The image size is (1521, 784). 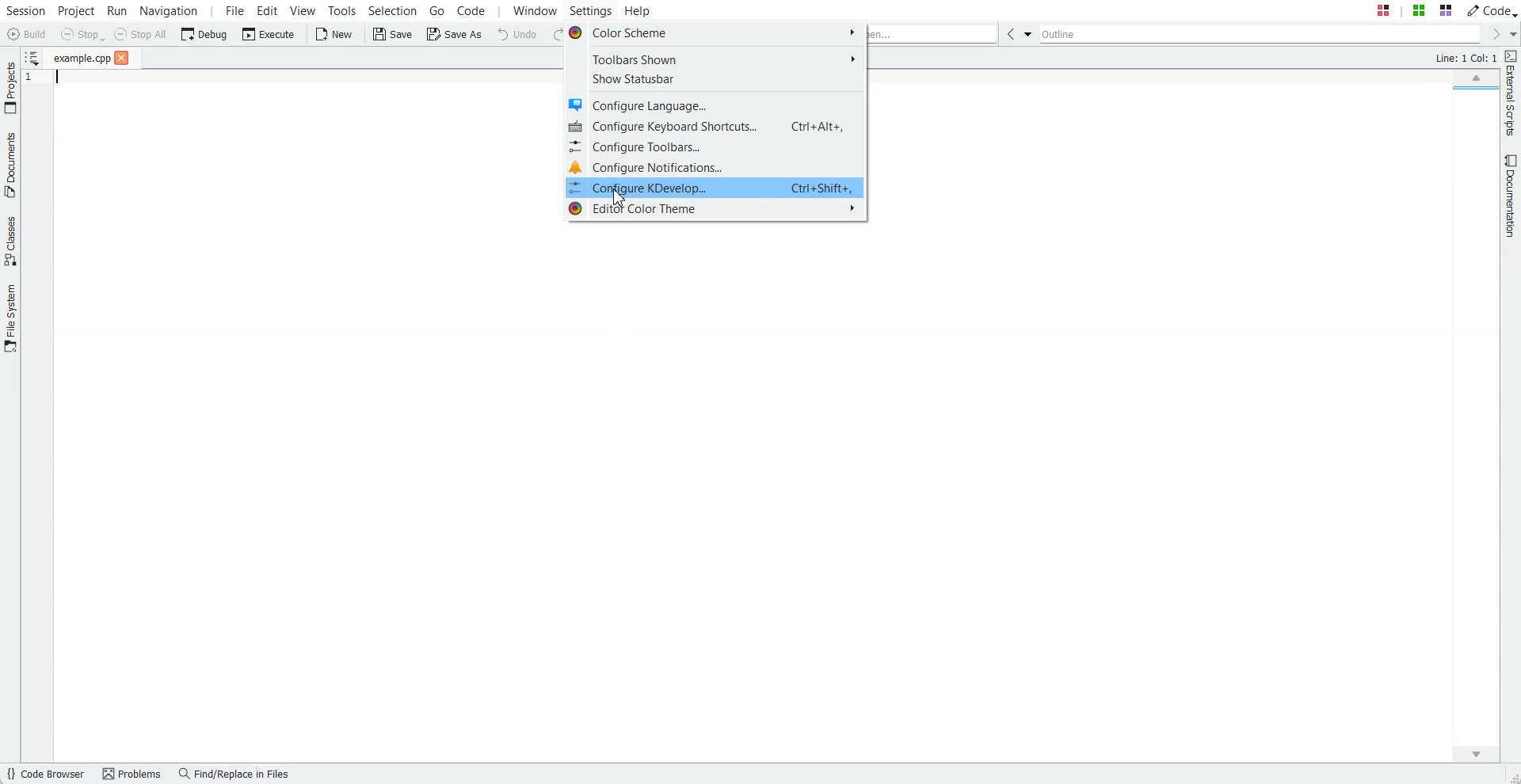 I want to click on Problems, so click(x=134, y=774).